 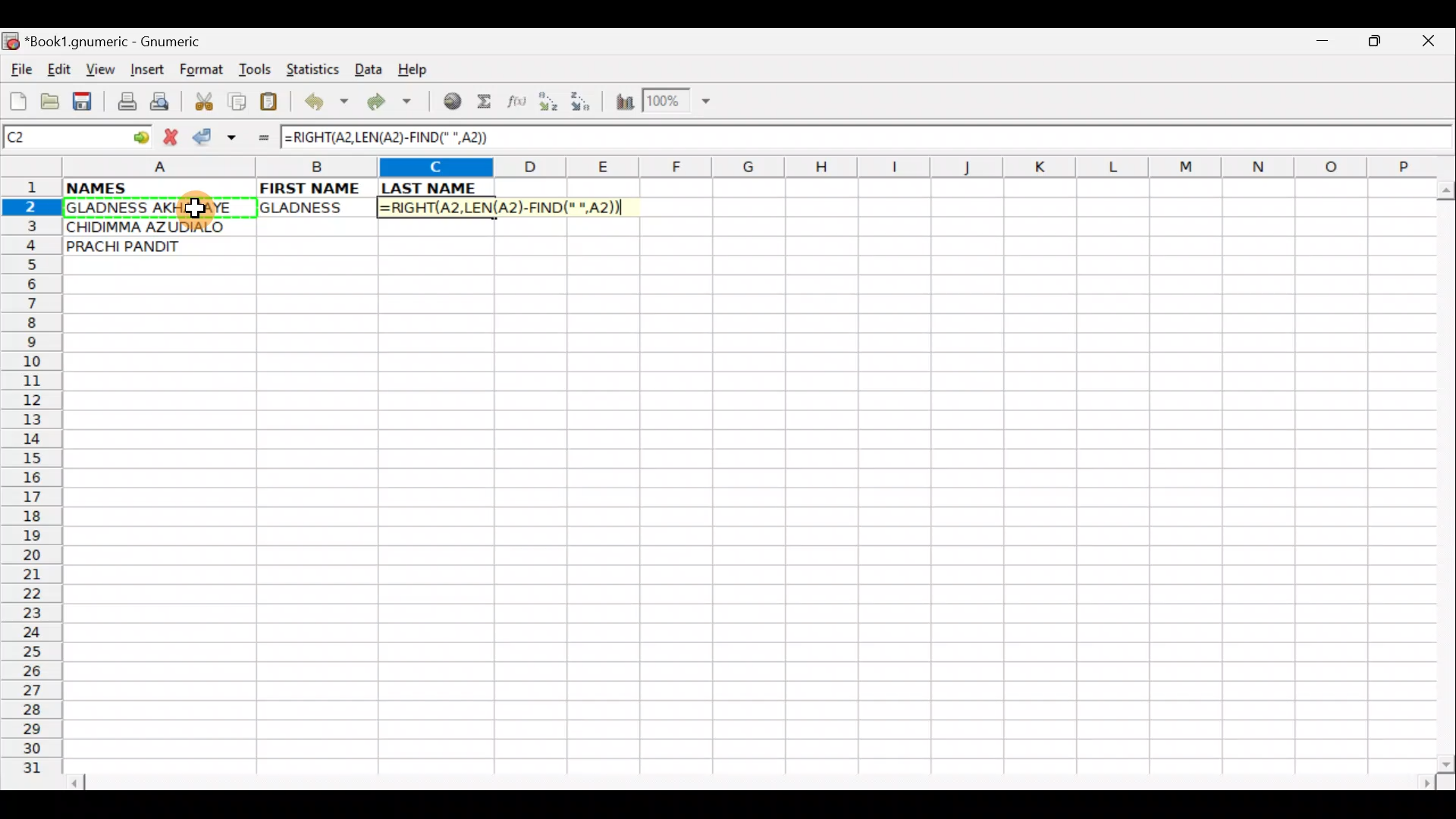 I want to click on Cancel change, so click(x=174, y=134).